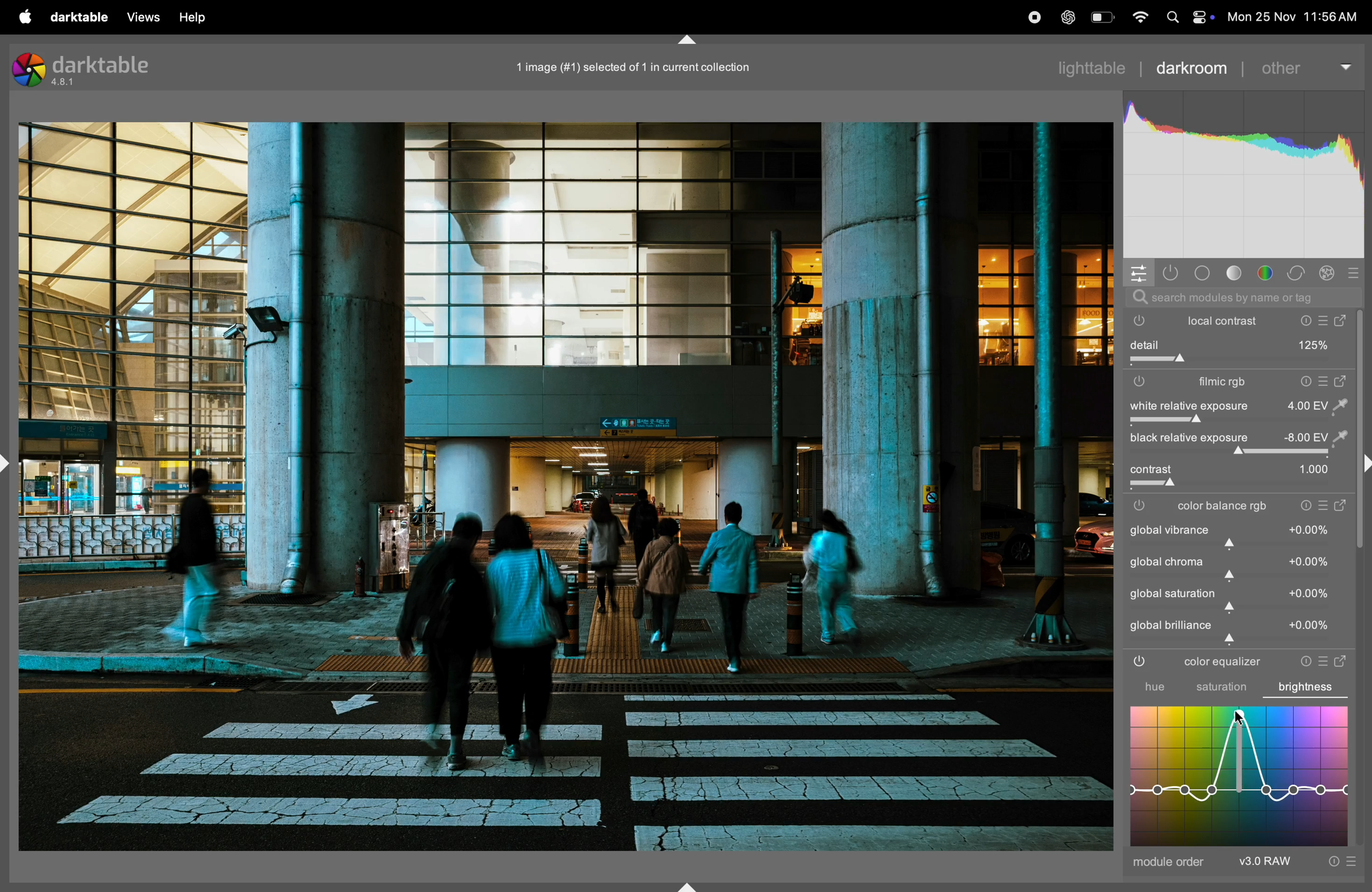  What do you see at coordinates (142, 17) in the screenshot?
I see `views` at bounding box center [142, 17].